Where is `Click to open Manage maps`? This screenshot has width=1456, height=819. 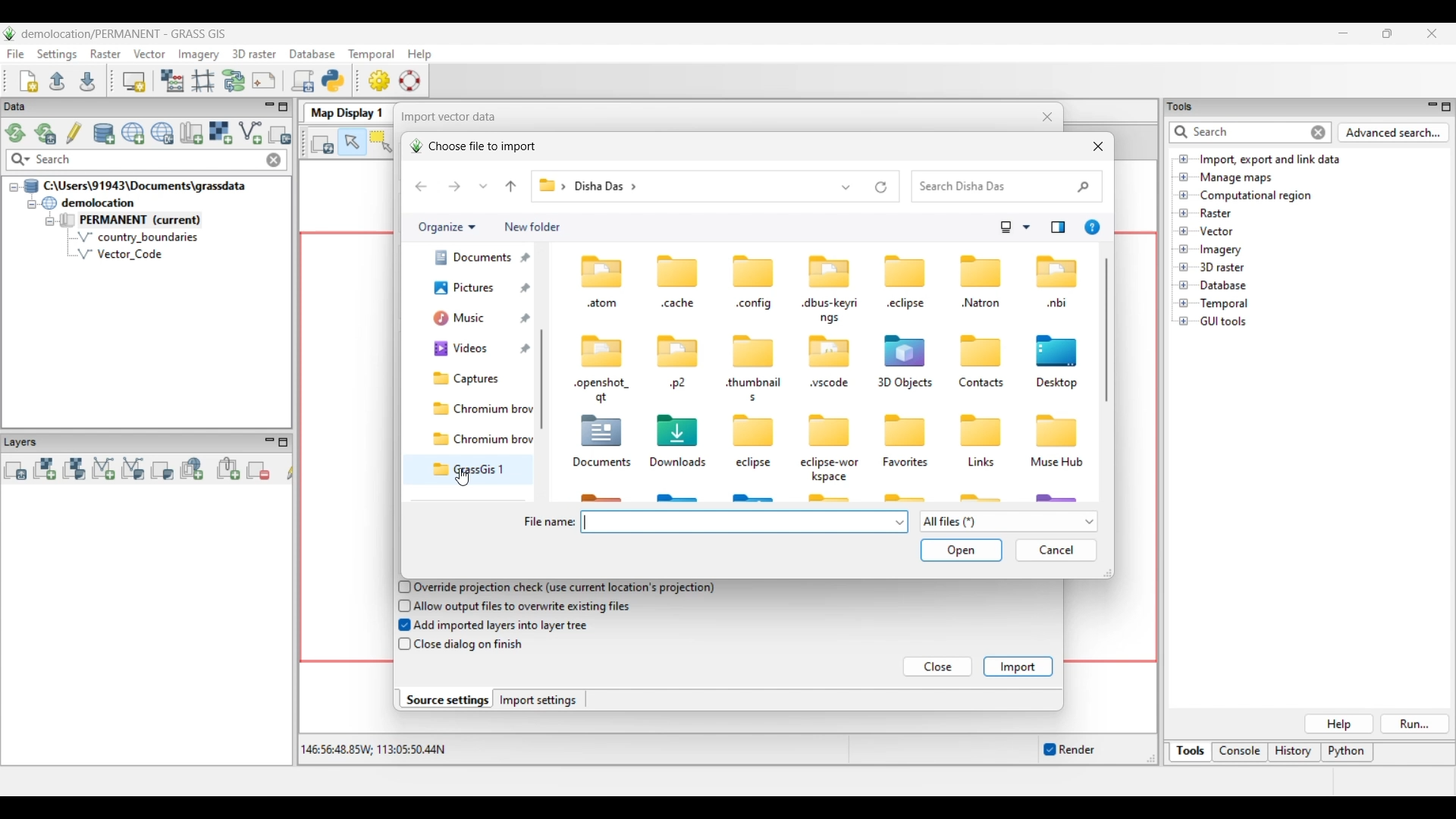
Click to open Manage maps is located at coordinates (1184, 177).